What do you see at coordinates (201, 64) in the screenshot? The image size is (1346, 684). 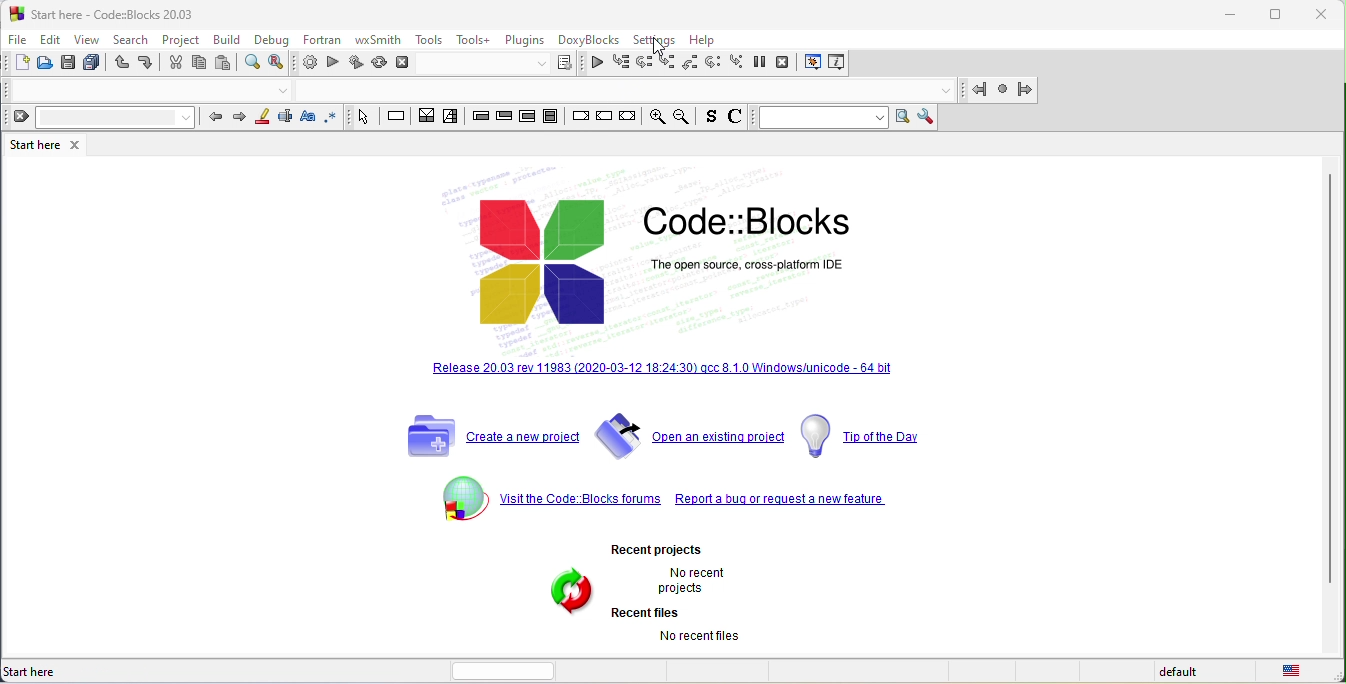 I see `copy` at bounding box center [201, 64].